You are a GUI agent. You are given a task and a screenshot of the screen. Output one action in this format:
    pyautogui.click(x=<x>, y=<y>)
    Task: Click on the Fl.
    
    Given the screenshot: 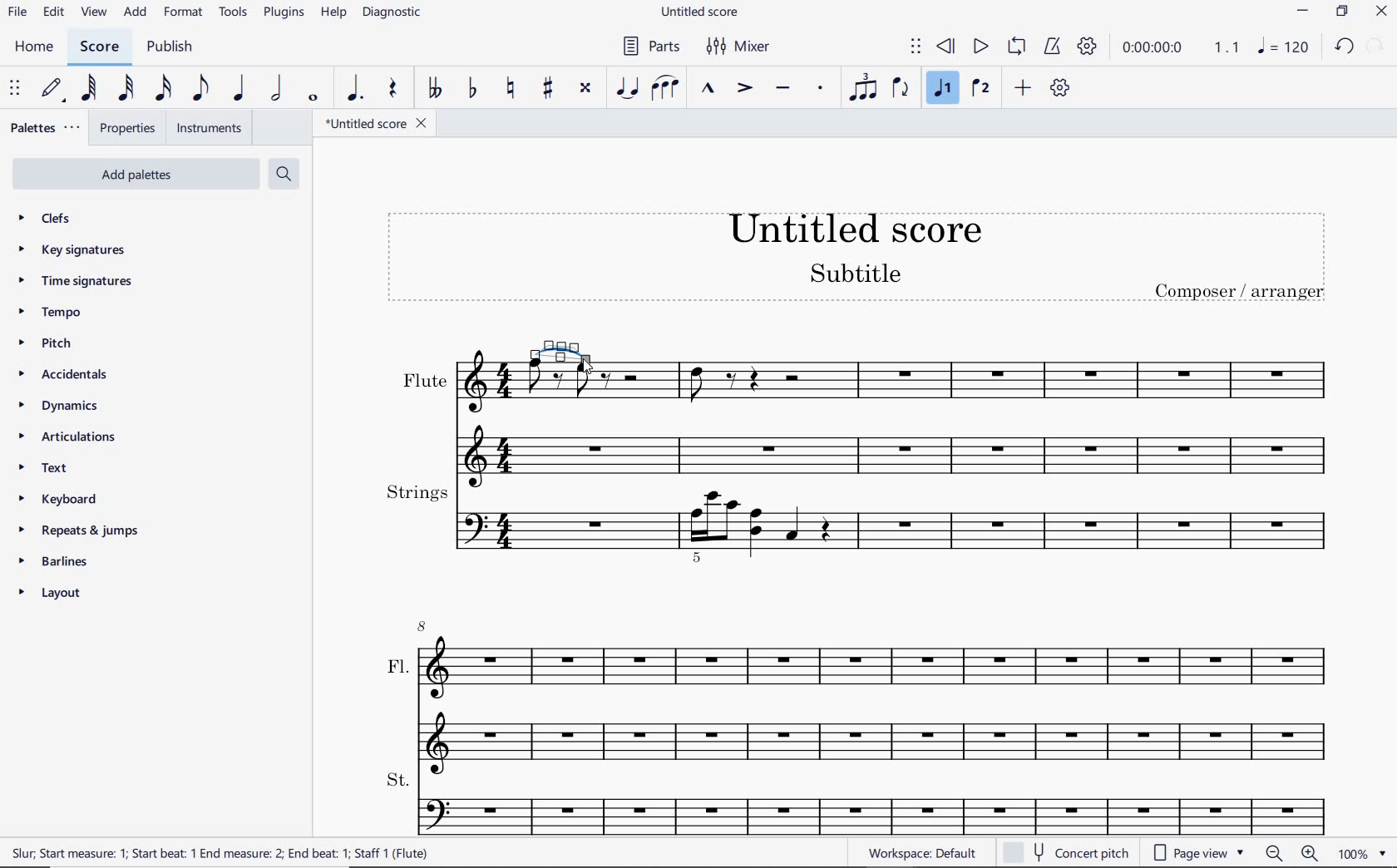 What is the action you would take?
    pyautogui.click(x=861, y=691)
    